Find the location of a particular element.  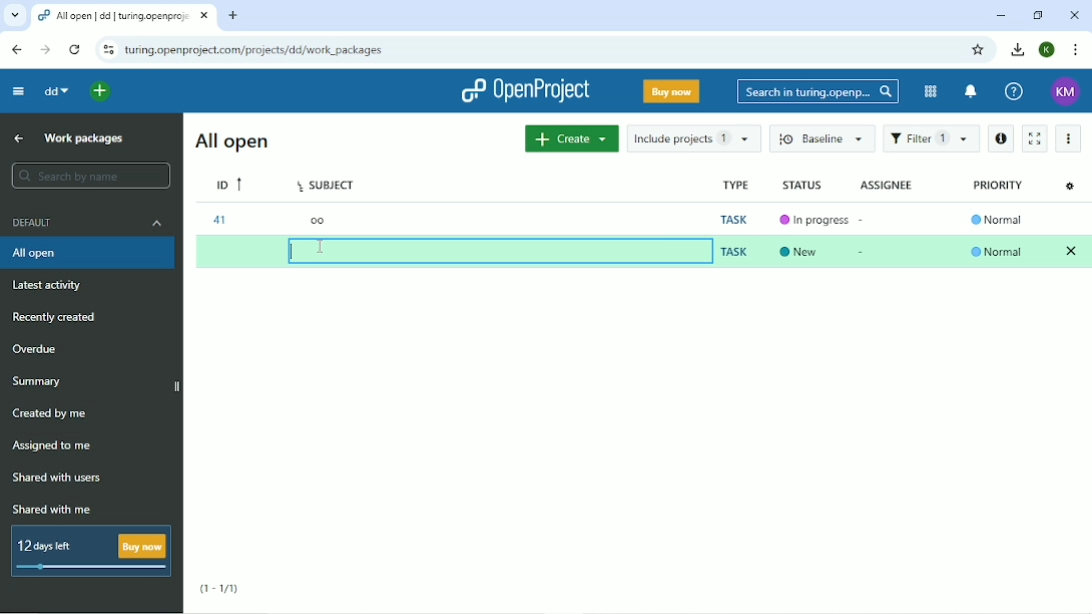

Site is located at coordinates (255, 51).